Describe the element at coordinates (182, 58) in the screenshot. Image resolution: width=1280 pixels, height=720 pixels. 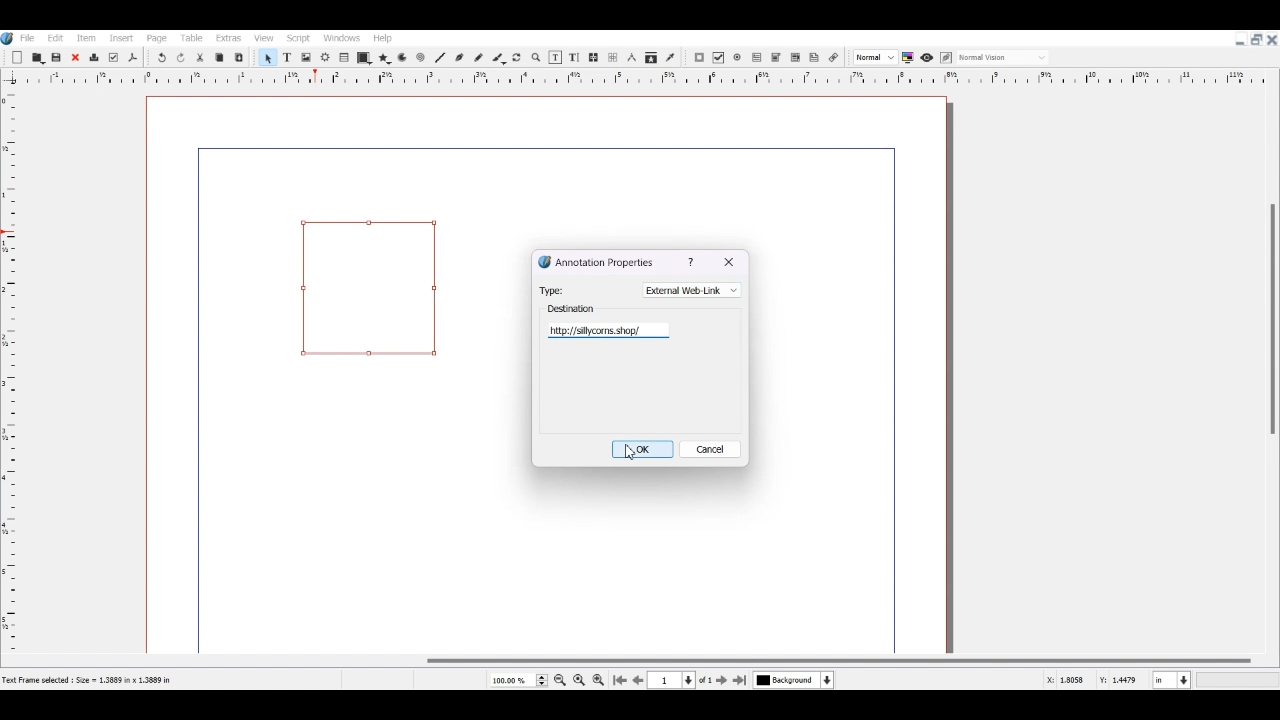
I see `Redo` at that location.